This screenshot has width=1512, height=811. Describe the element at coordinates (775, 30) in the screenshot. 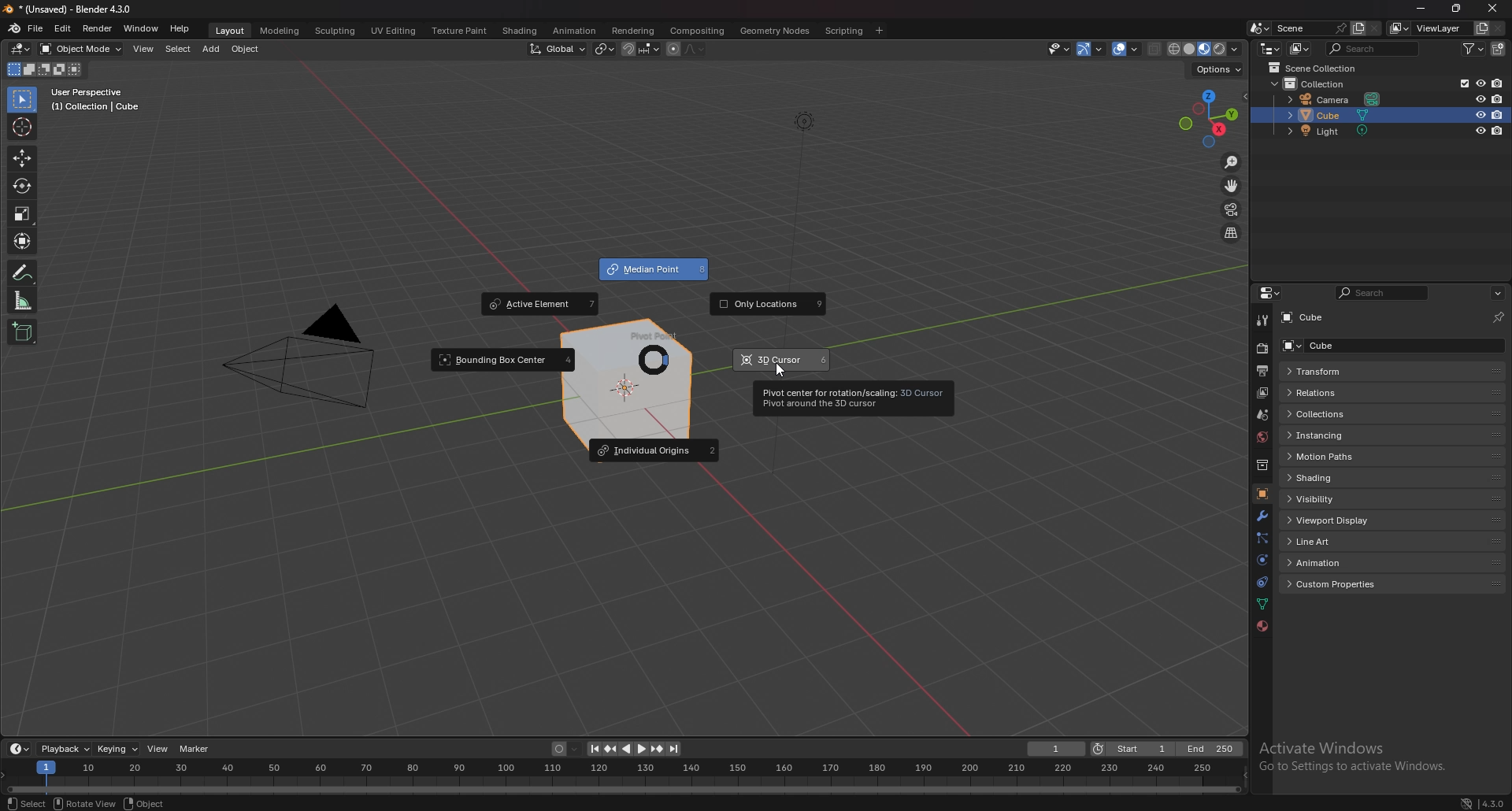

I see `geometry nodes` at that location.